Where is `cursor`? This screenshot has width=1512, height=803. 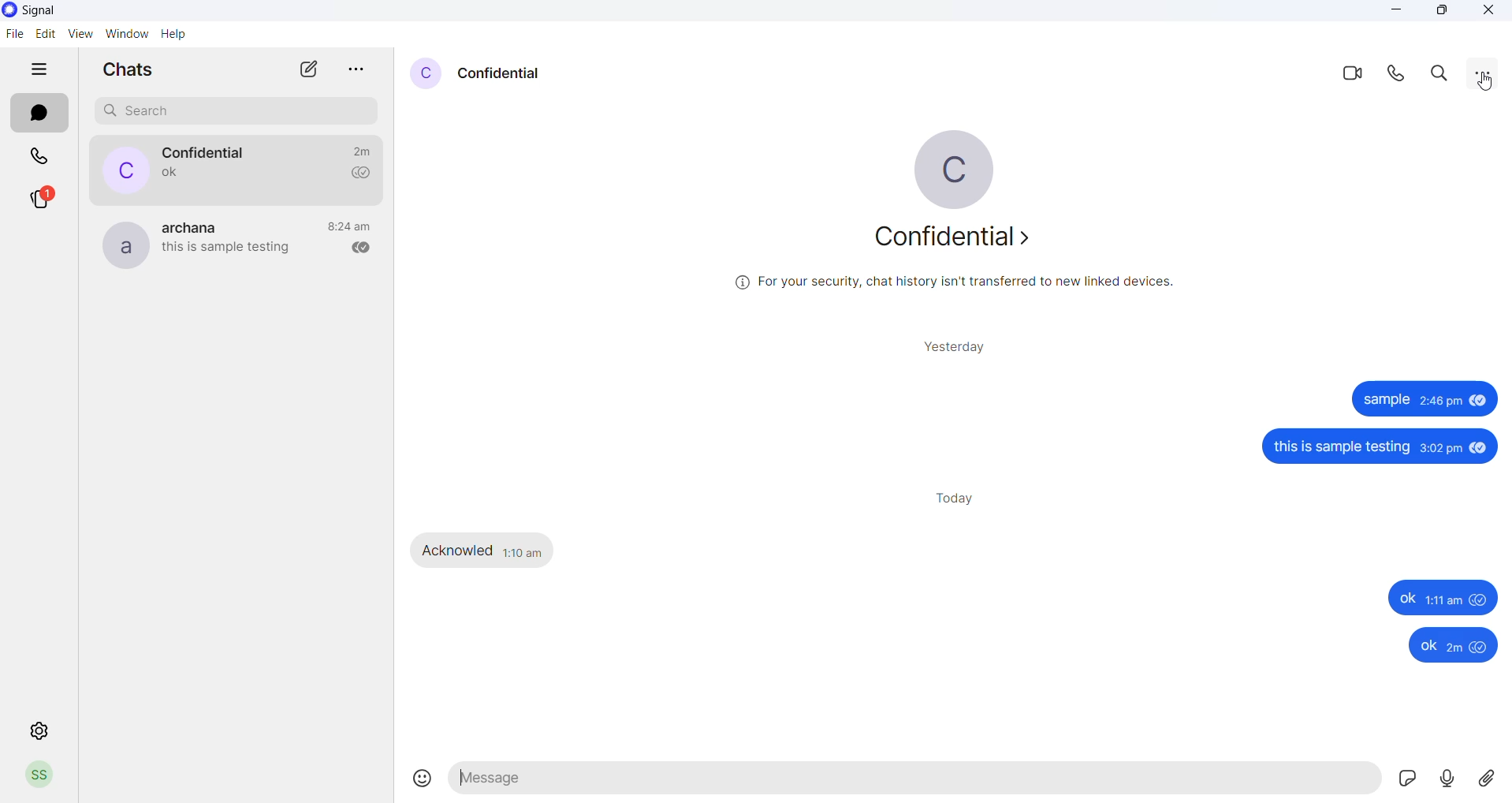
cursor is located at coordinates (1486, 88).